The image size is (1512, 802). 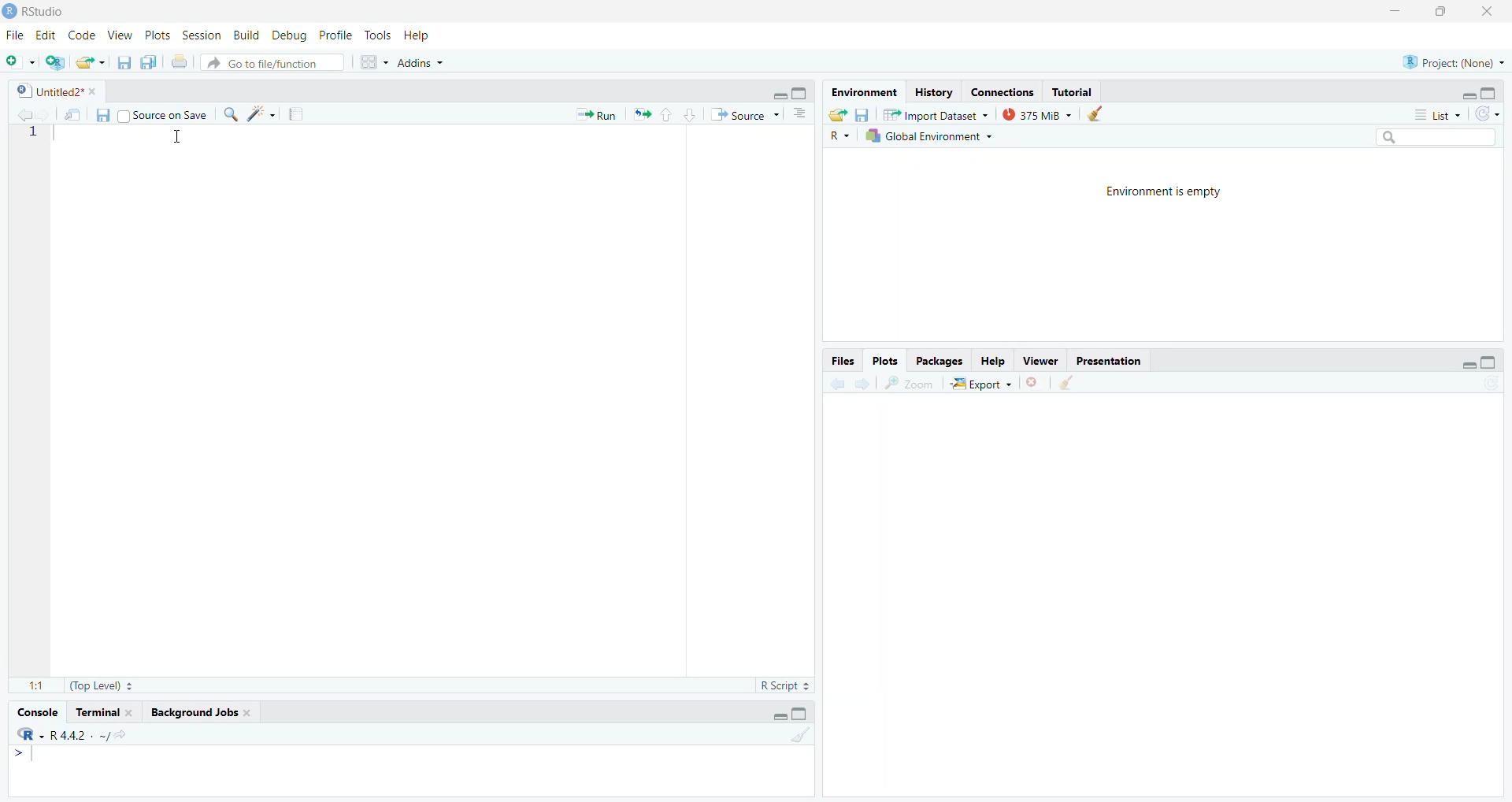 What do you see at coordinates (36, 685) in the screenshot?
I see `1:1` at bounding box center [36, 685].